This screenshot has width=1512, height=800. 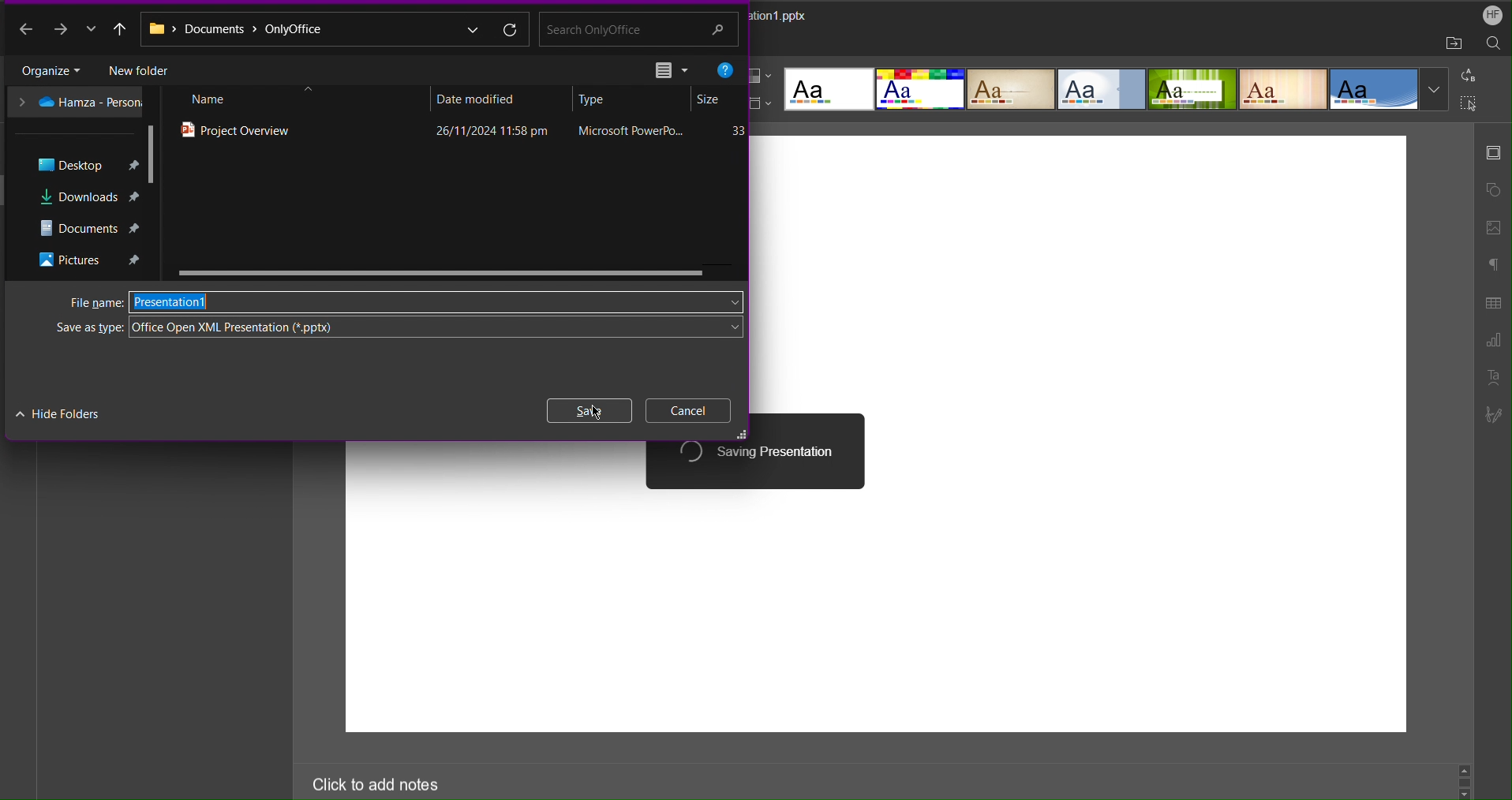 I want to click on Select All, so click(x=1466, y=103).